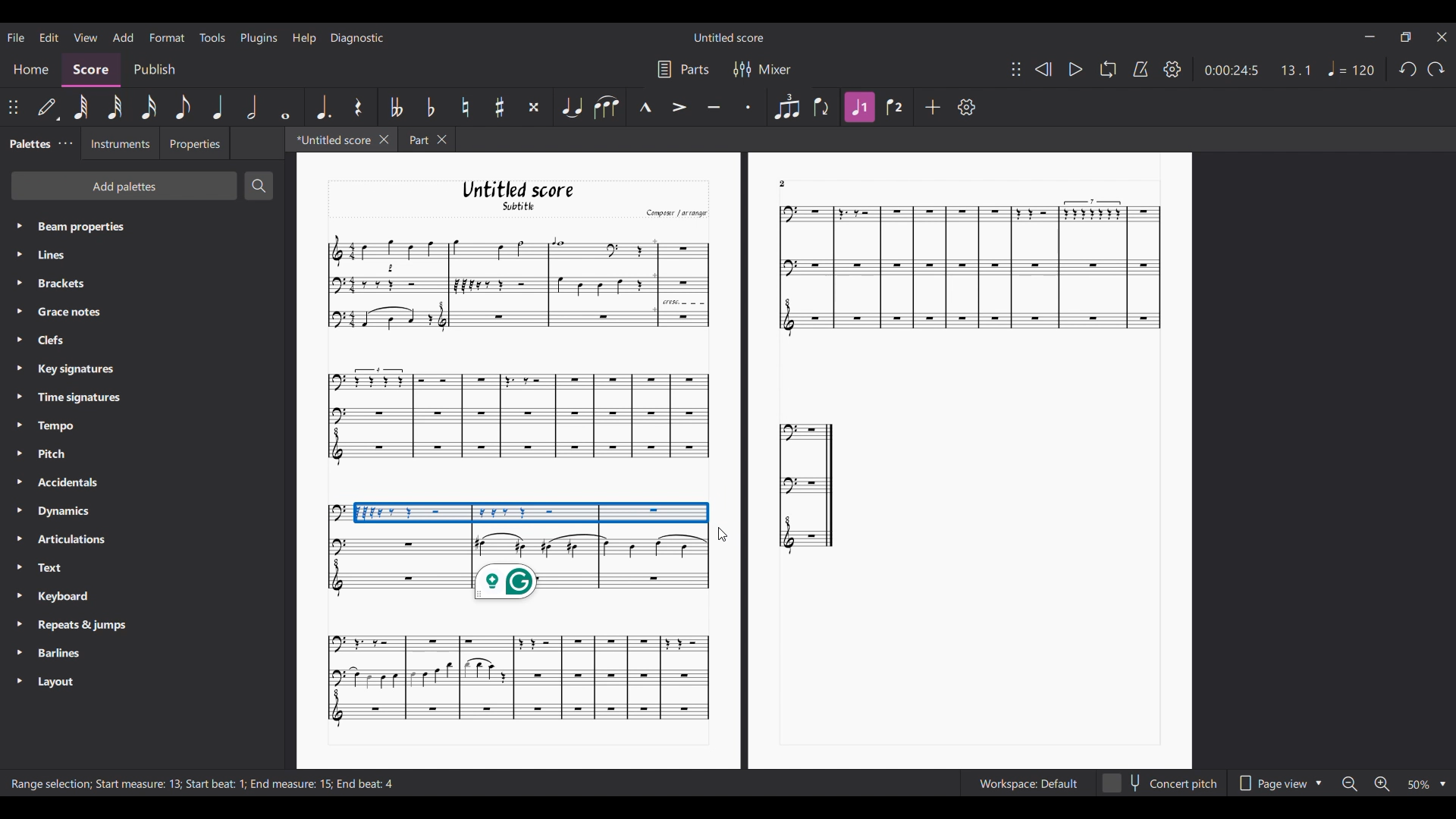 This screenshot has height=819, width=1456. Describe the element at coordinates (259, 39) in the screenshot. I see `Plugins menu` at that location.